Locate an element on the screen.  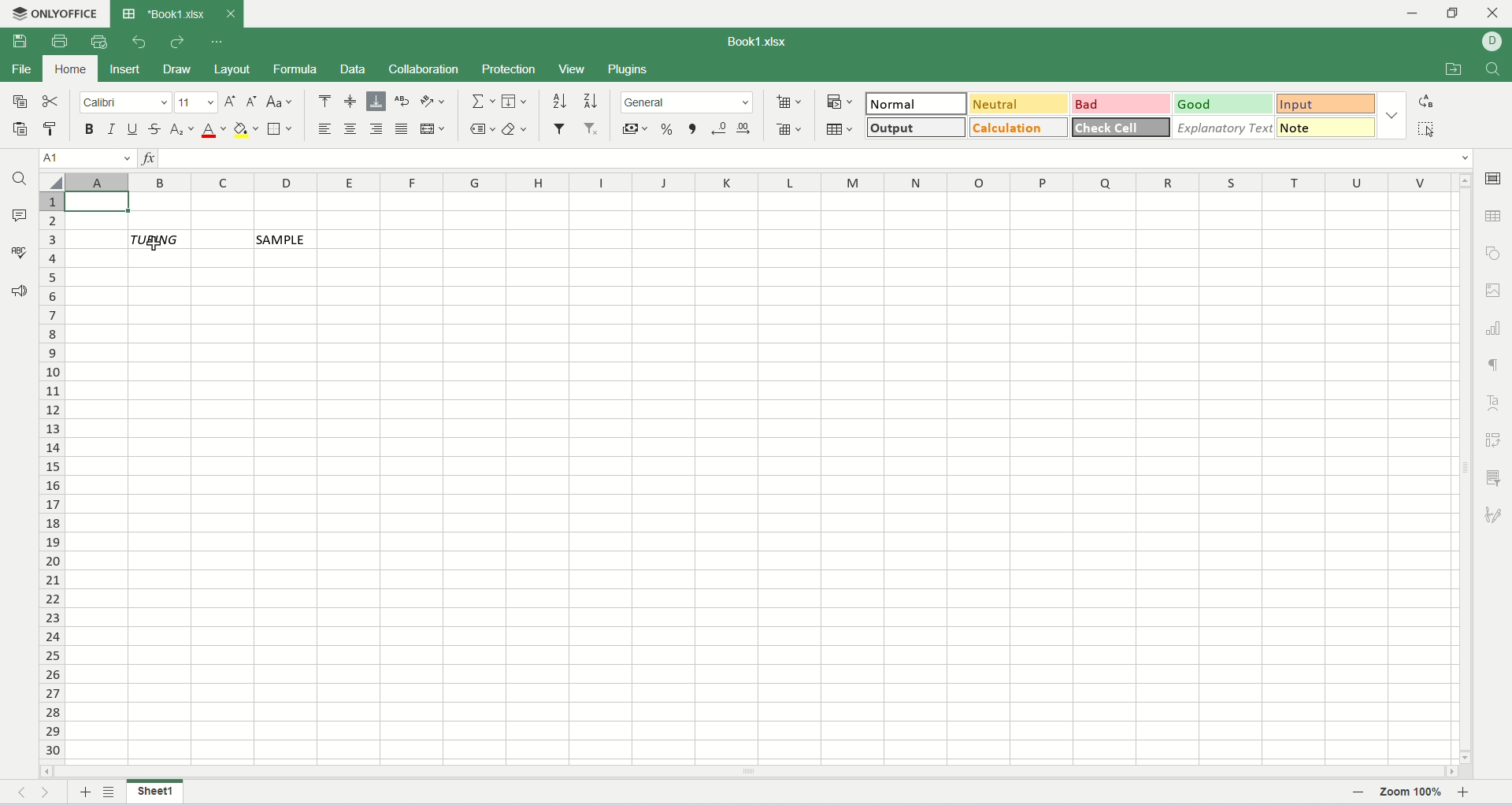
paste is located at coordinates (16, 129).